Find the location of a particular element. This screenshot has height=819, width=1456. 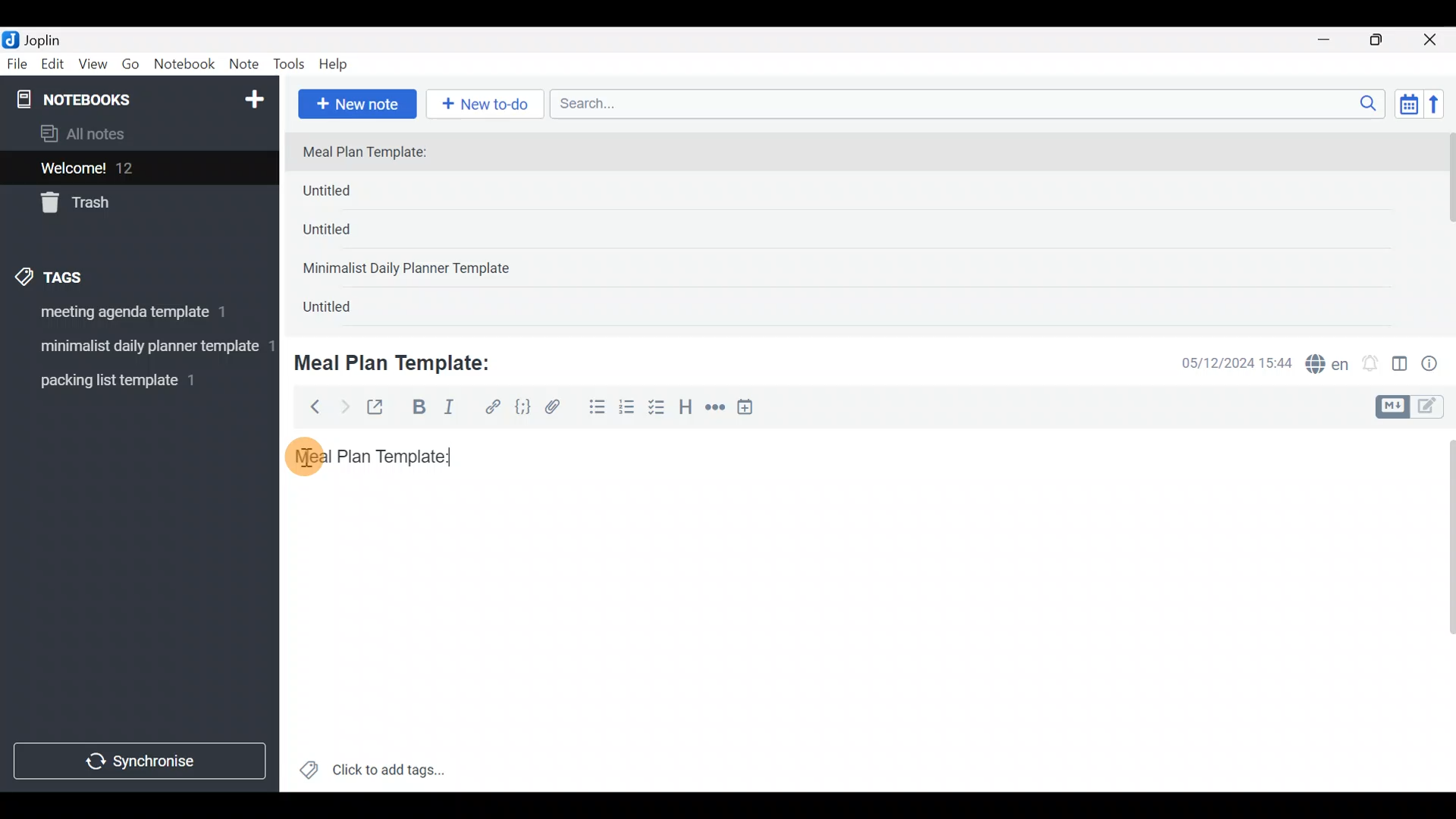

Toggle editor layout is located at coordinates (1401, 366).